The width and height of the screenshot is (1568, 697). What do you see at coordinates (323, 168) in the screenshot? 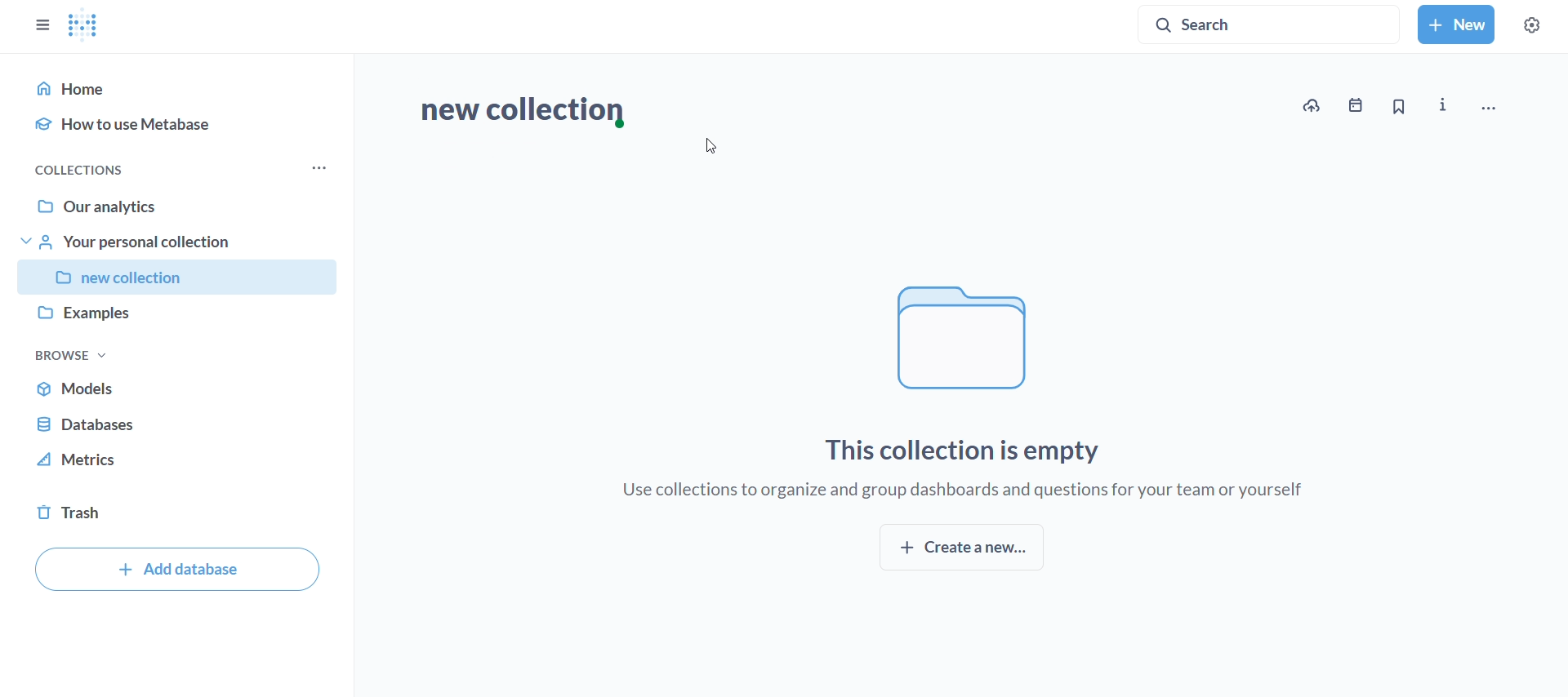
I see `more` at bounding box center [323, 168].